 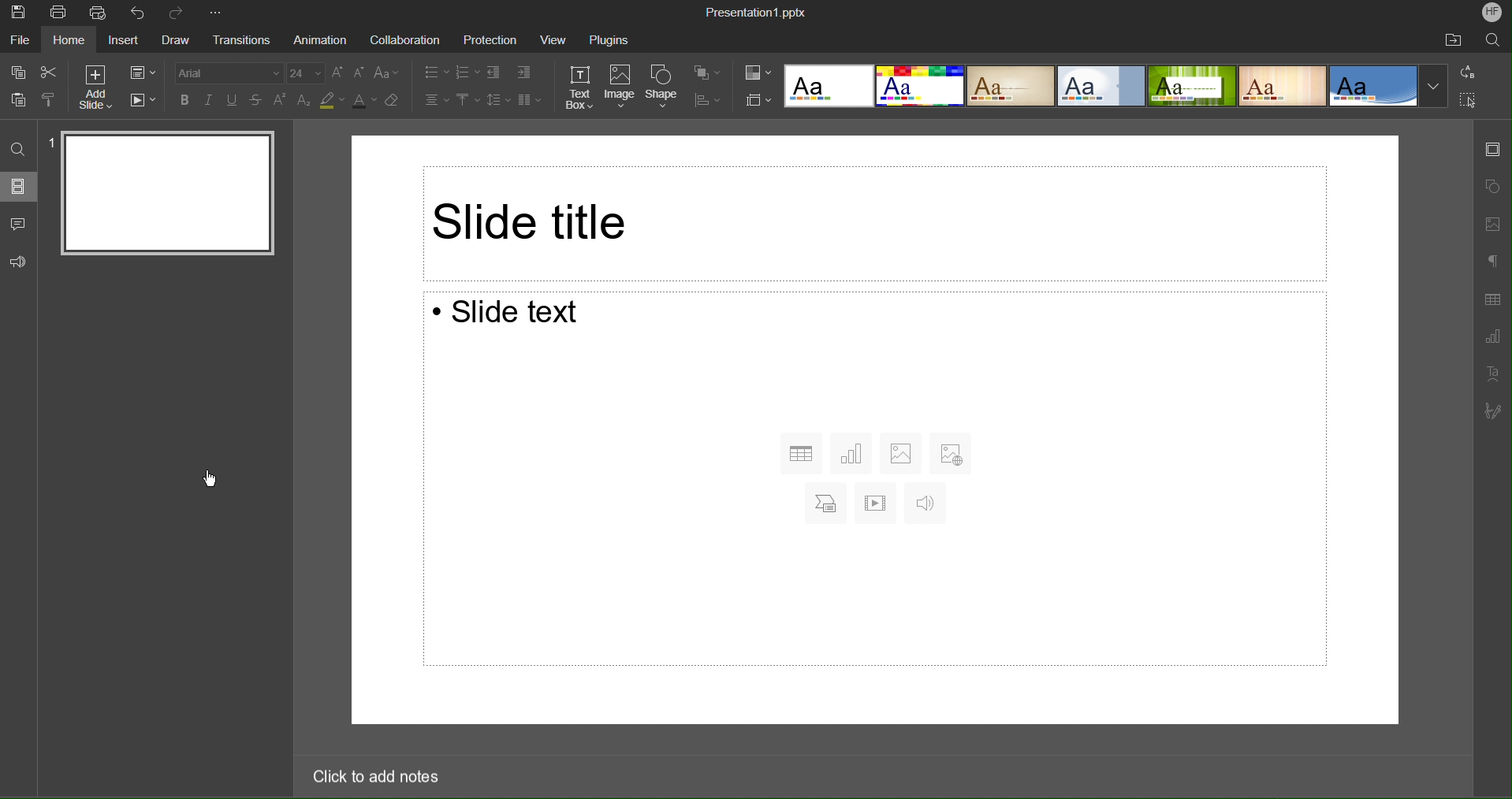 I want to click on Slide 1, so click(x=169, y=190).